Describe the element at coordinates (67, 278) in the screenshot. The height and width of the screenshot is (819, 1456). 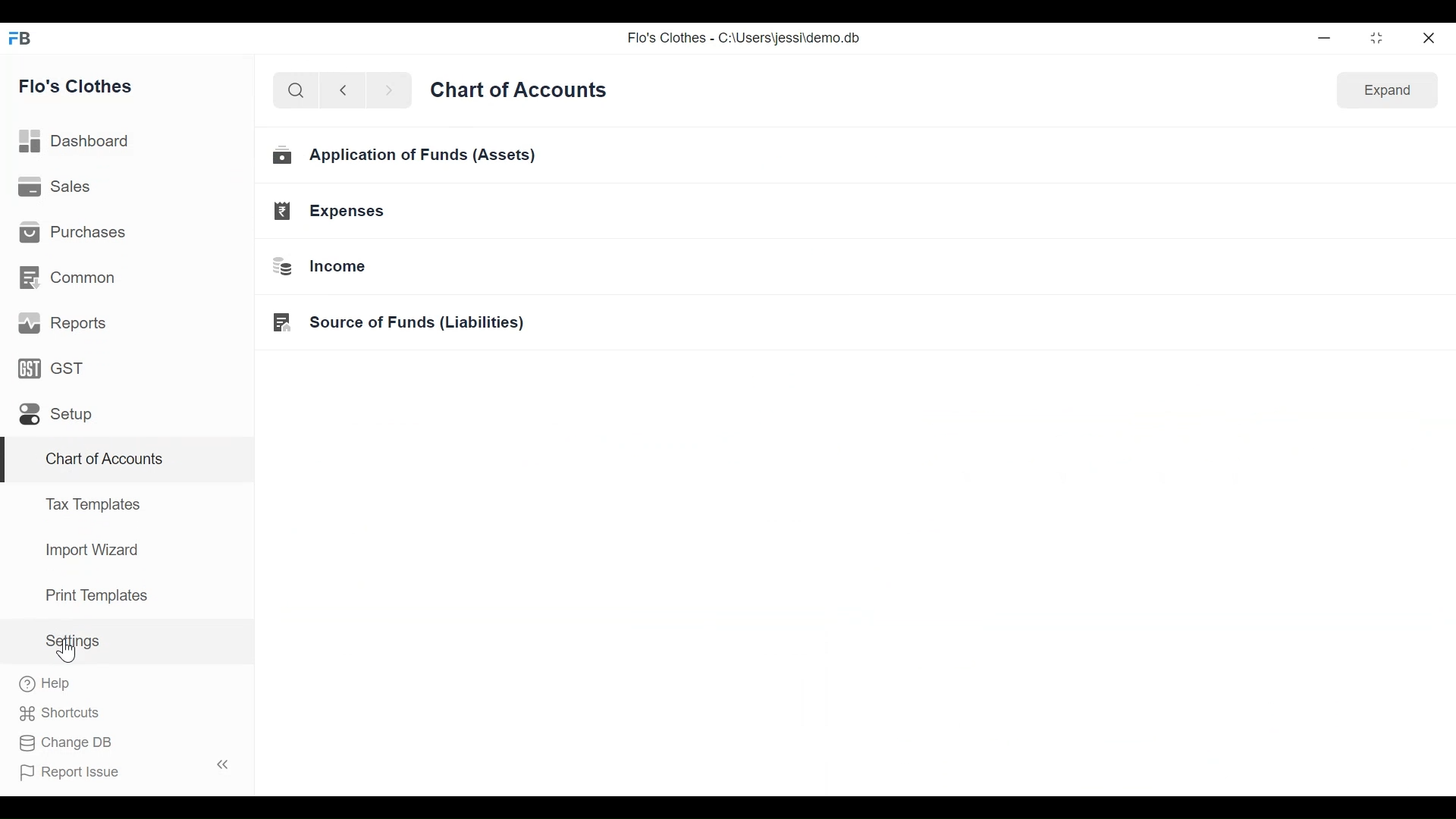
I see `common` at that location.